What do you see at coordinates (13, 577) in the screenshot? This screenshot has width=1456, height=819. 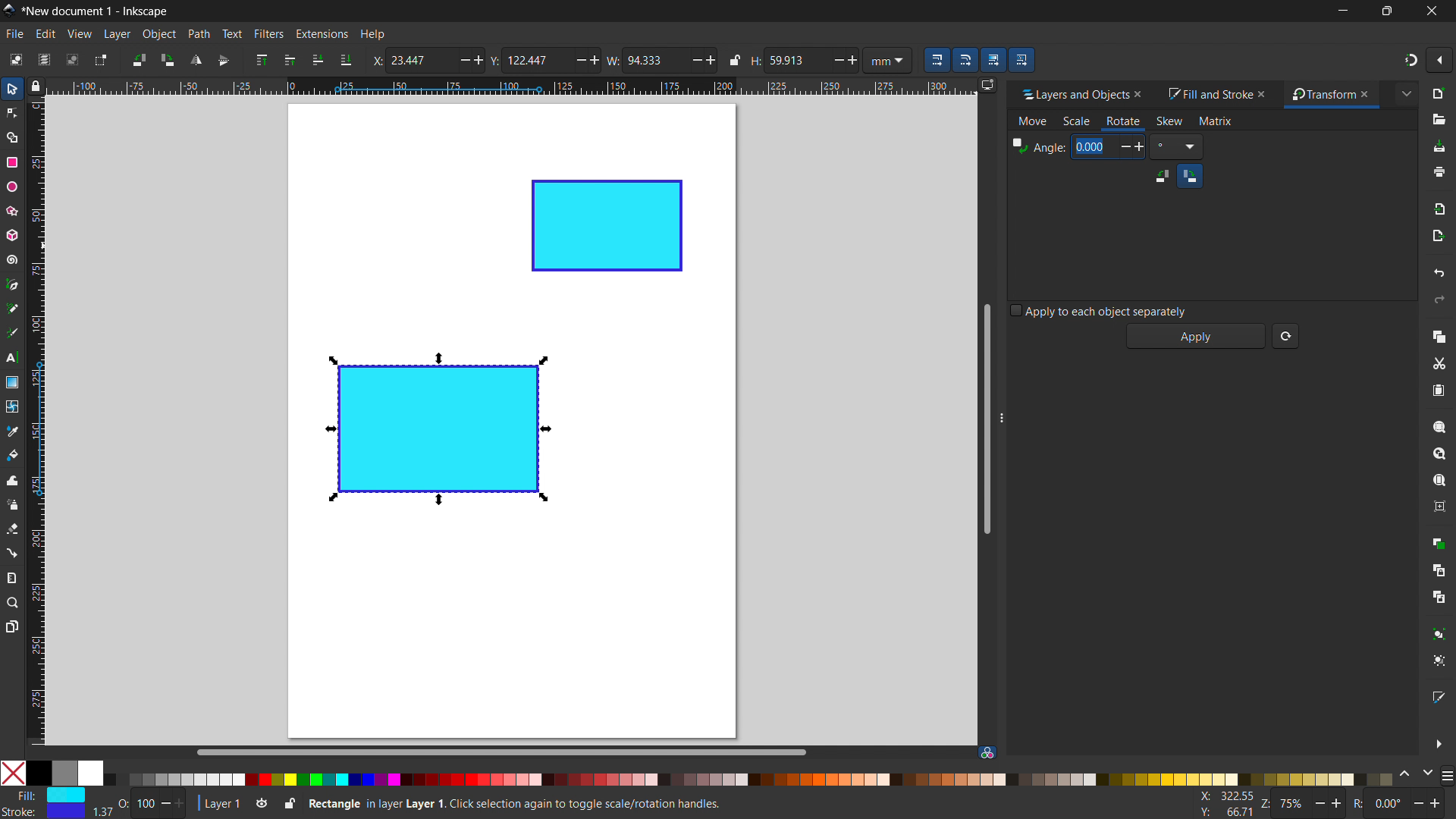 I see `measurement tool` at bounding box center [13, 577].